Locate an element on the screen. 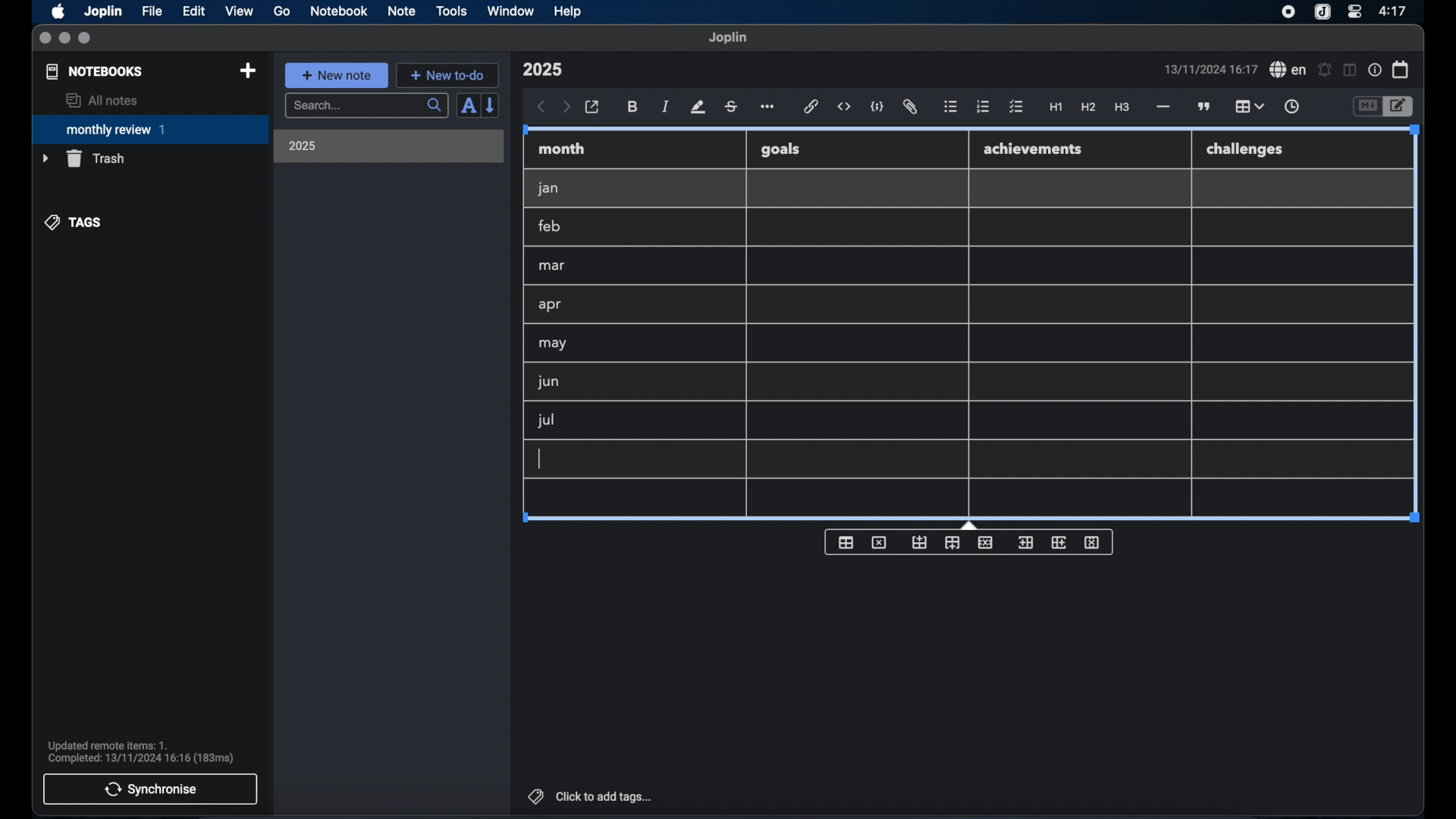 This screenshot has width=1456, height=819. joplin icon is located at coordinates (1321, 13).